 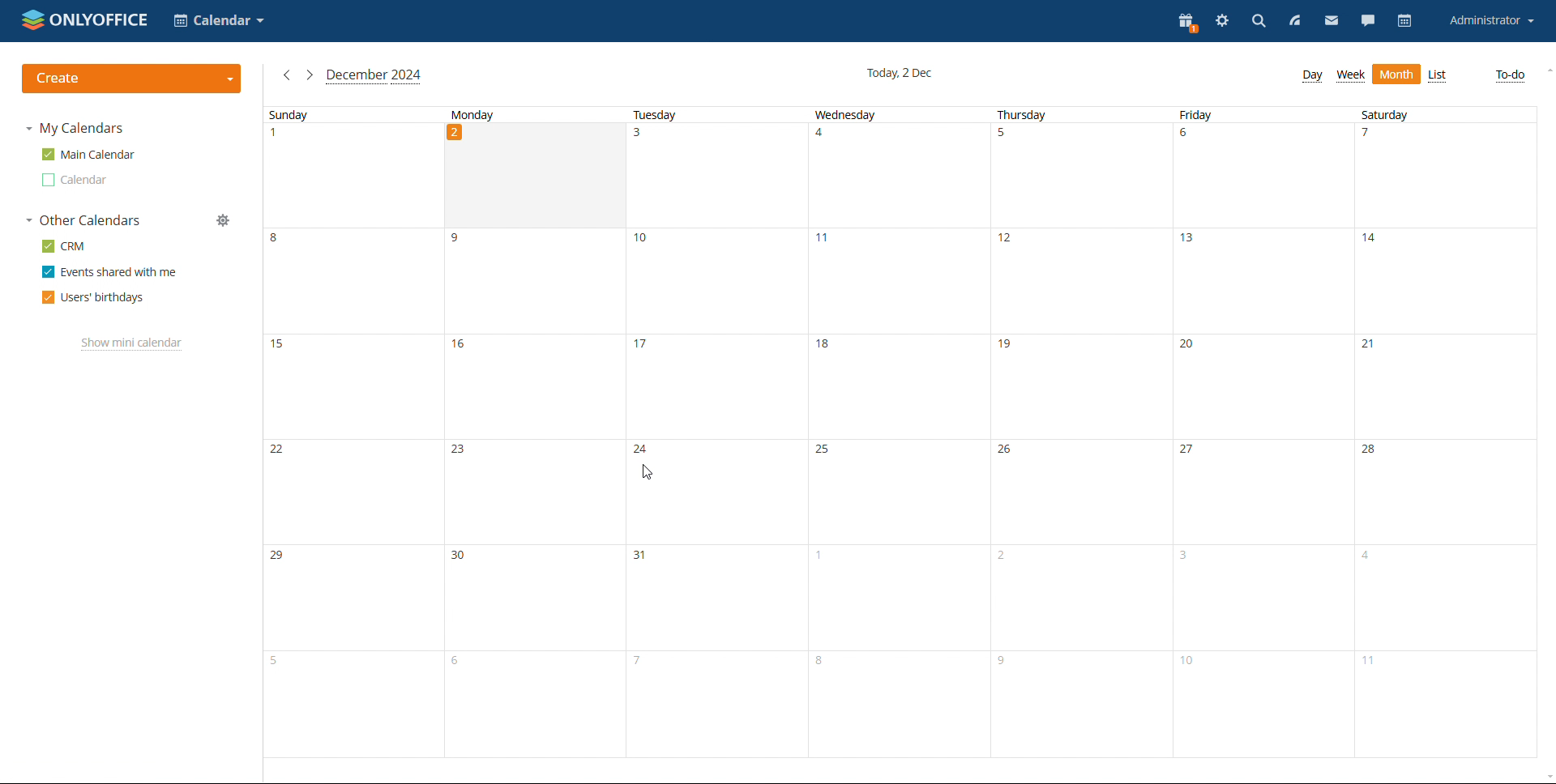 I want to click on 14, so click(x=1375, y=245).